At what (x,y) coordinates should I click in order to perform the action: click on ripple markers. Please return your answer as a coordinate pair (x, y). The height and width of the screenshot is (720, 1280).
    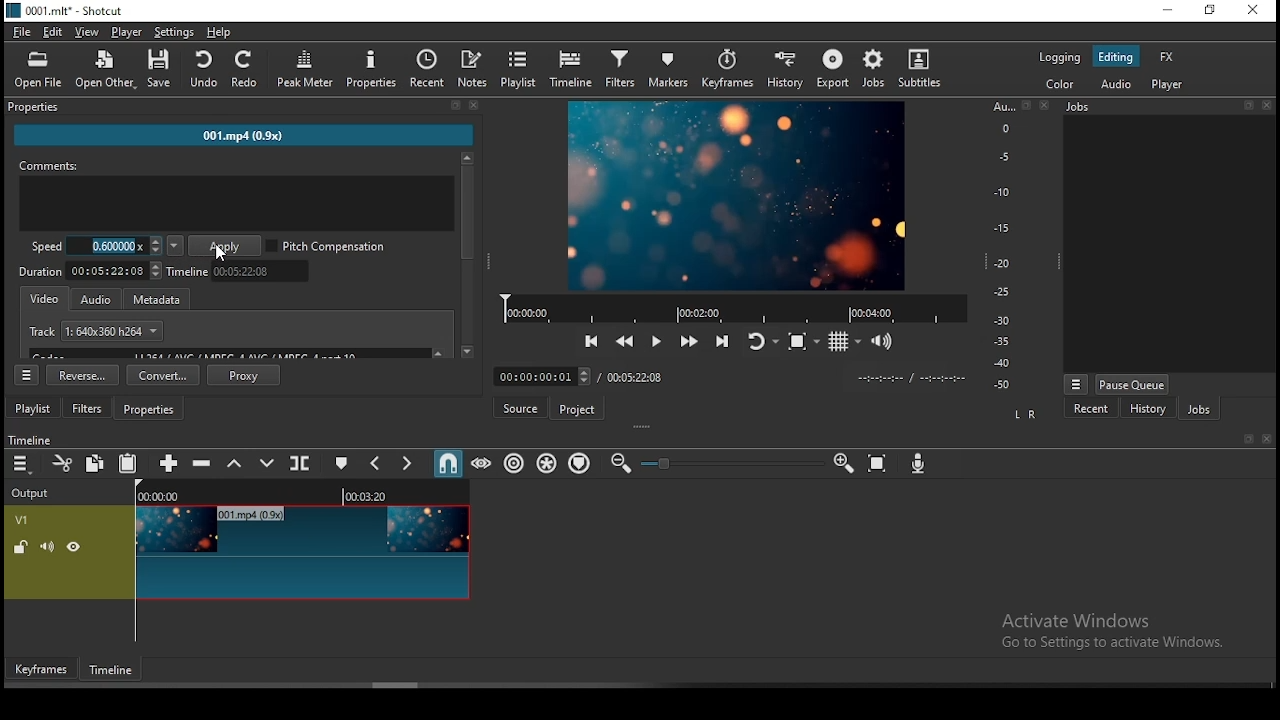
    Looking at the image, I should click on (580, 462).